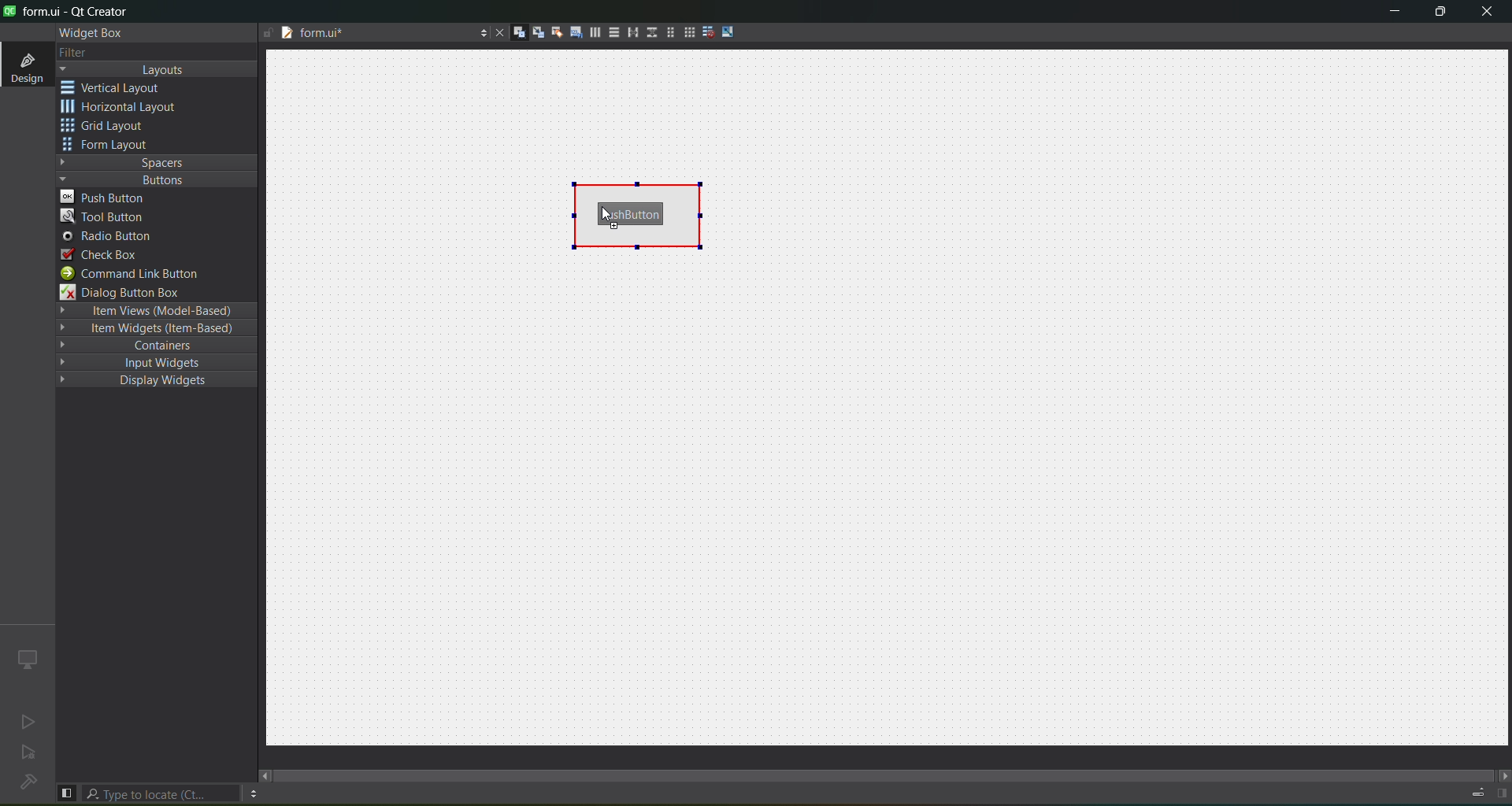  I want to click on close tab, so click(495, 32).